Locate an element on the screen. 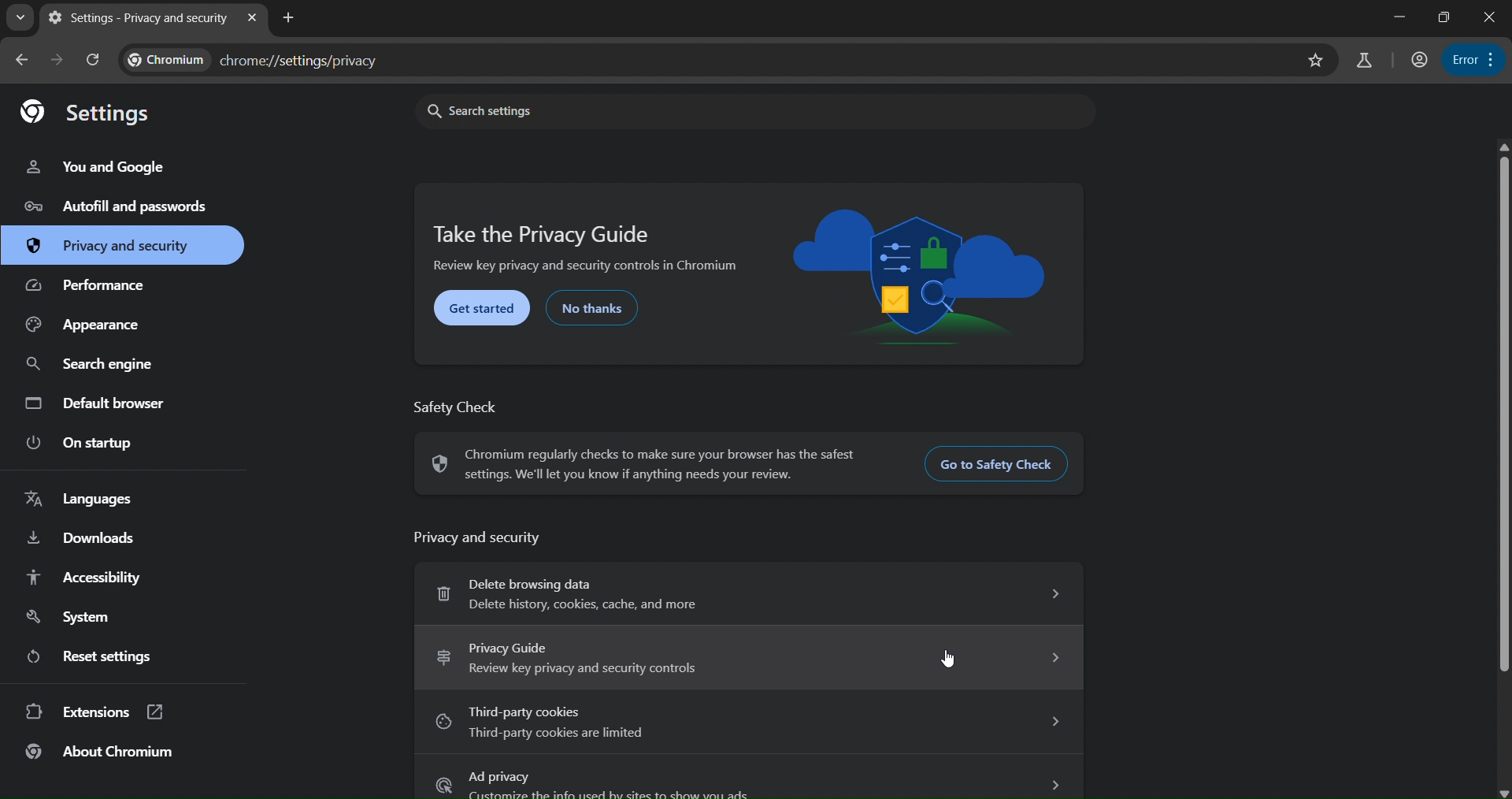  Delete browsing data Delete history, cookies, cache, and more is located at coordinates (745, 591).